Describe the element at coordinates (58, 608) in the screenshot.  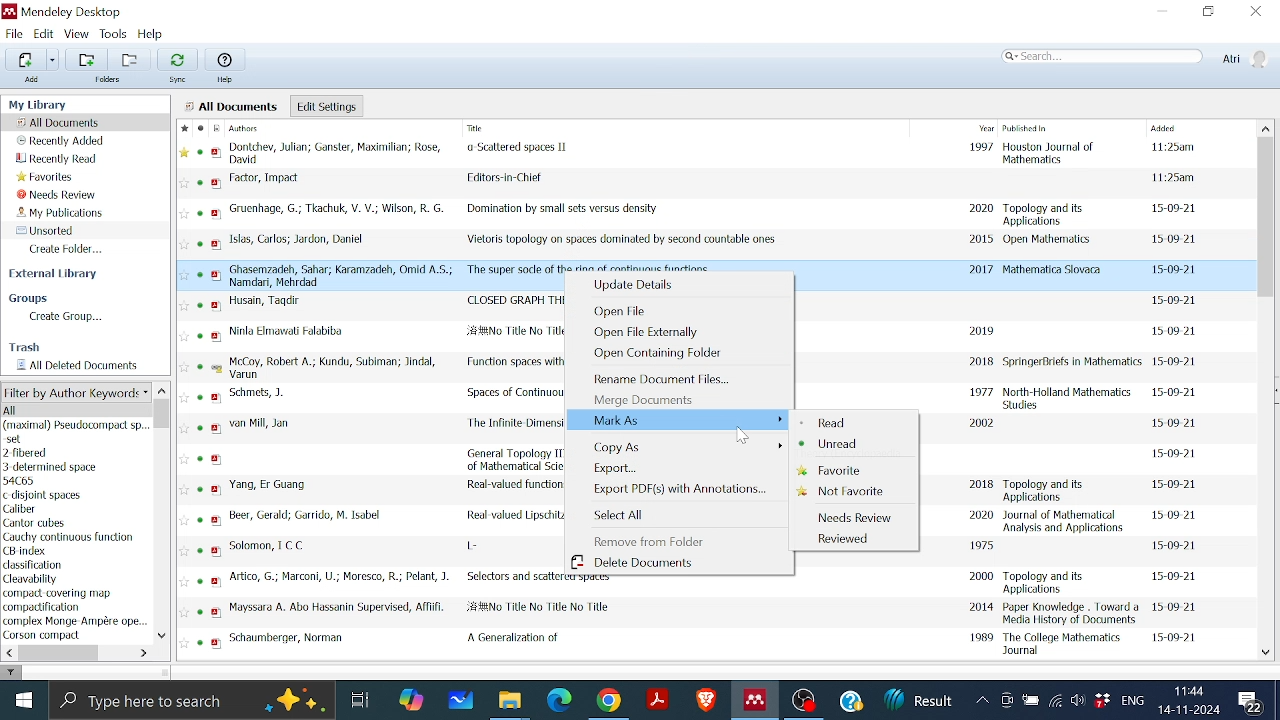
I see `compactification` at that location.